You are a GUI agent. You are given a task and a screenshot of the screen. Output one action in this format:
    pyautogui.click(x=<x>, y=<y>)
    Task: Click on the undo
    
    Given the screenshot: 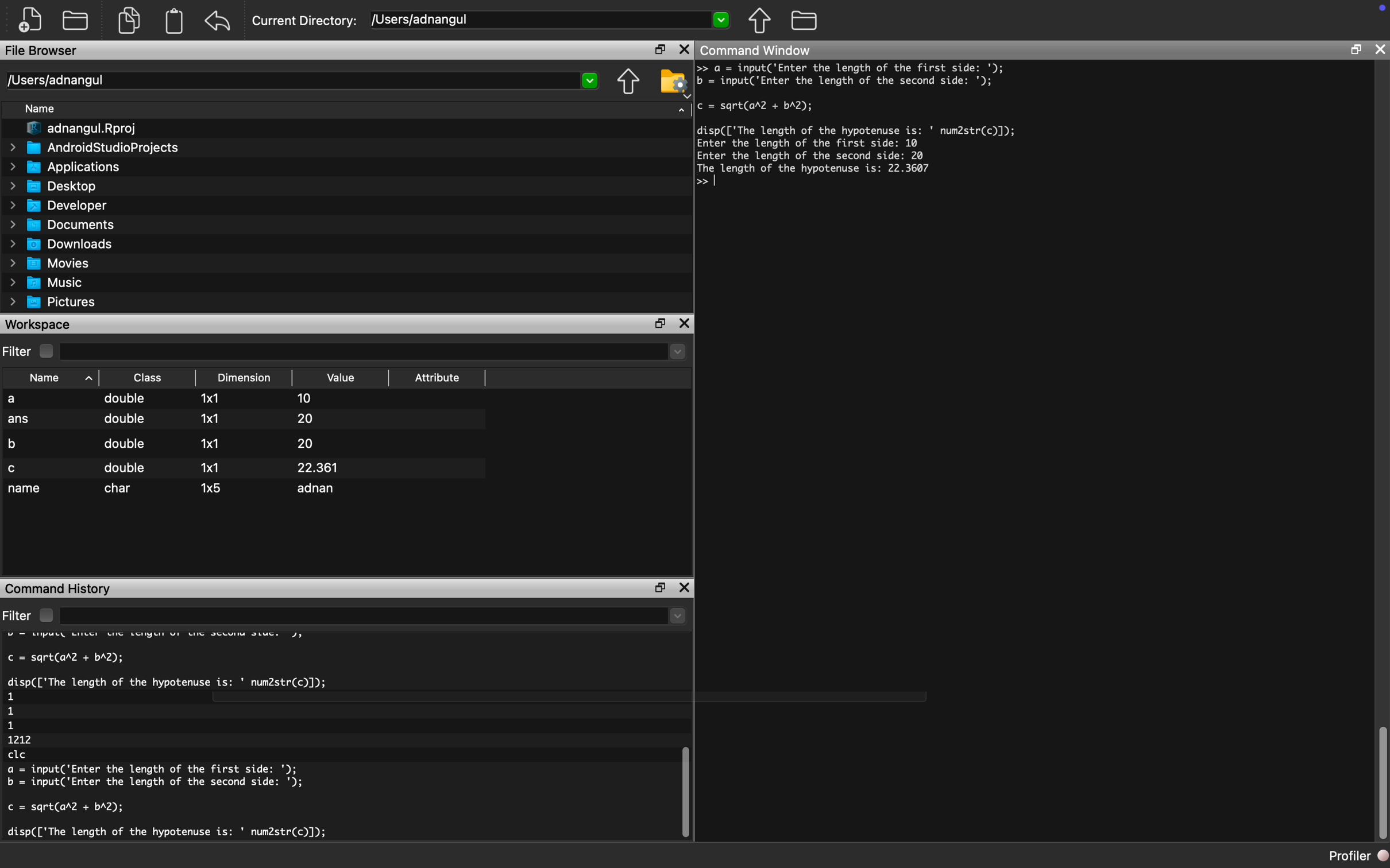 What is the action you would take?
    pyautogui.click(x=218, y=21)
    